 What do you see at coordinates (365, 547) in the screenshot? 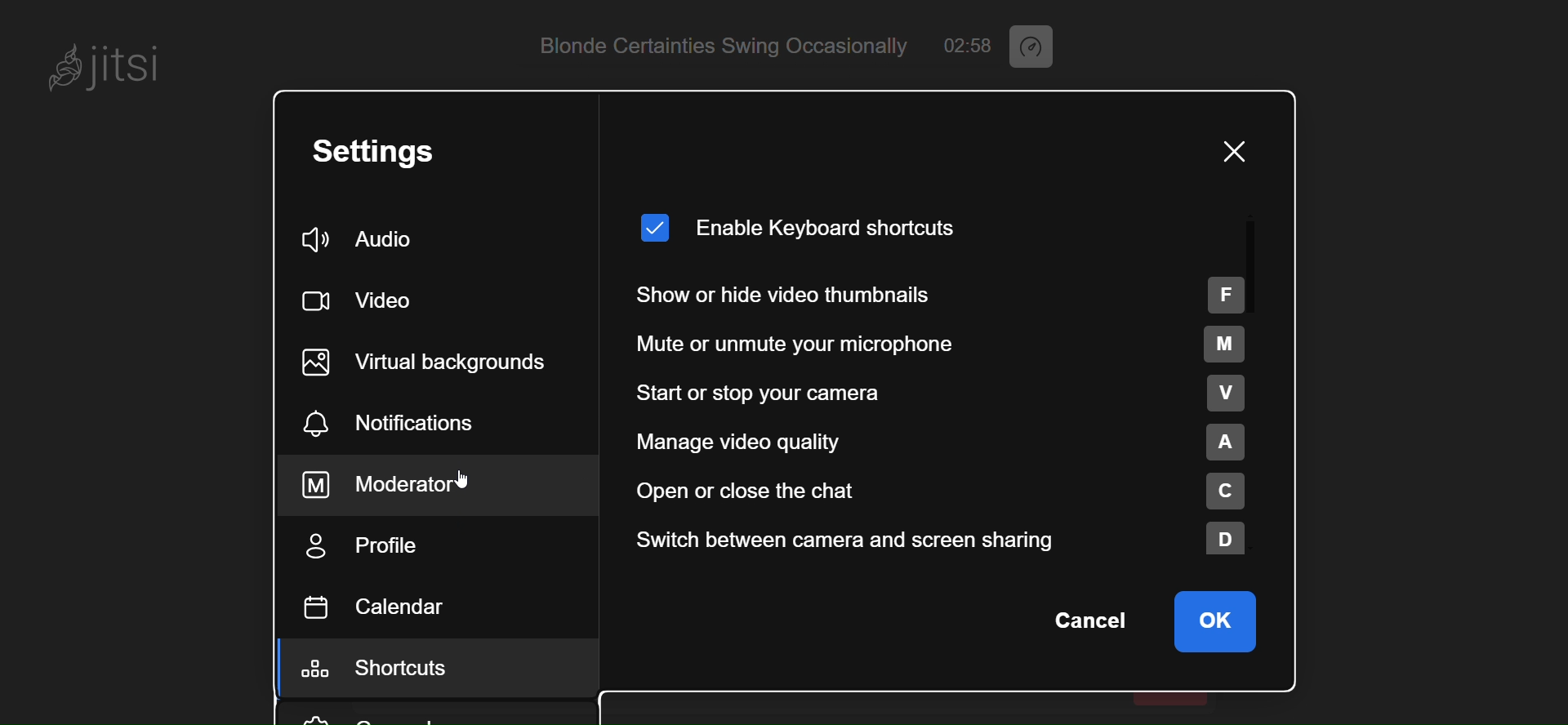
I see `profile` at bounding box center [365, 547].